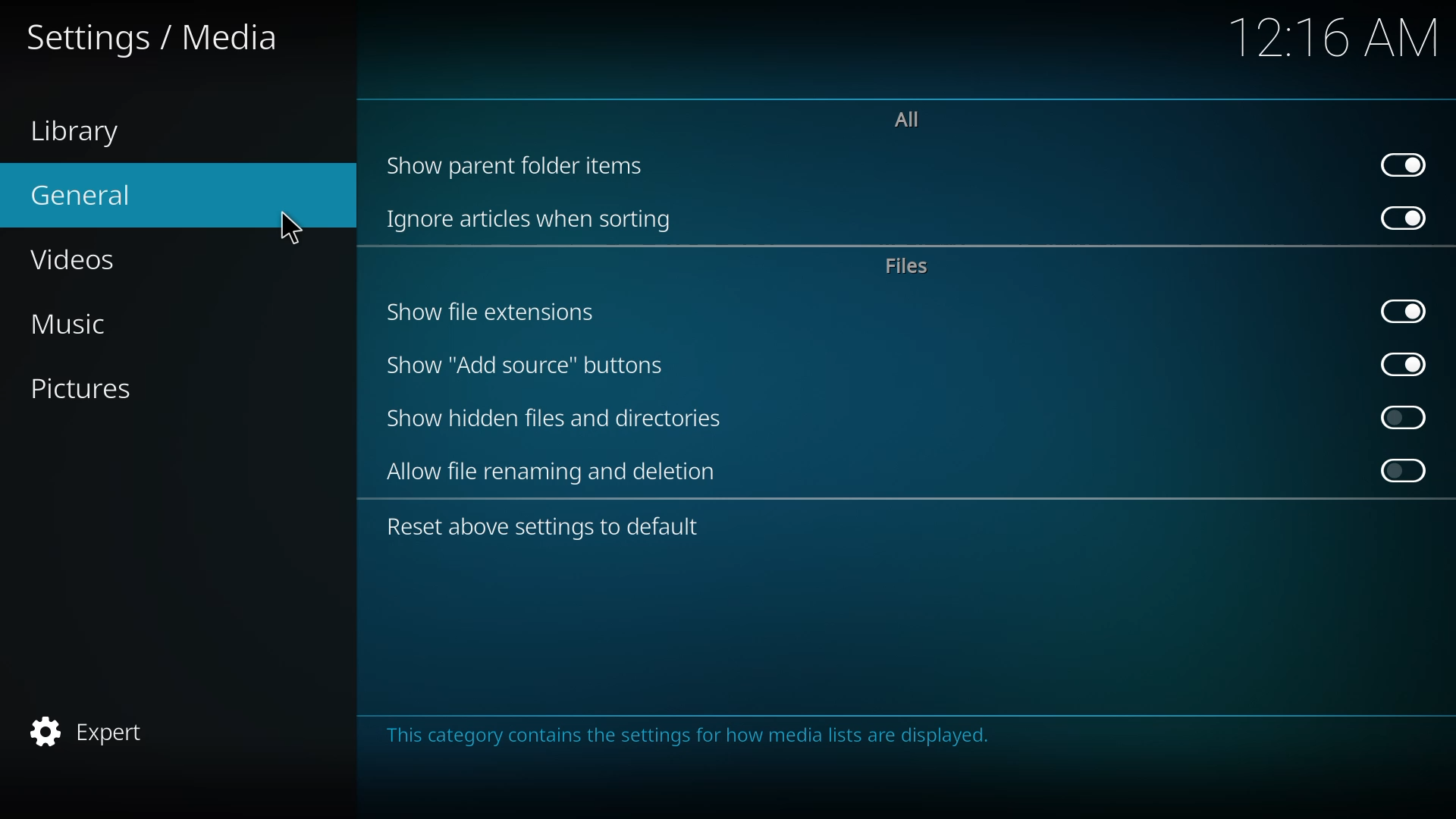  What do you see at coordinates (1406, 362) in the screenshot?
I see `enabled` at bounding box center [1406, 362].